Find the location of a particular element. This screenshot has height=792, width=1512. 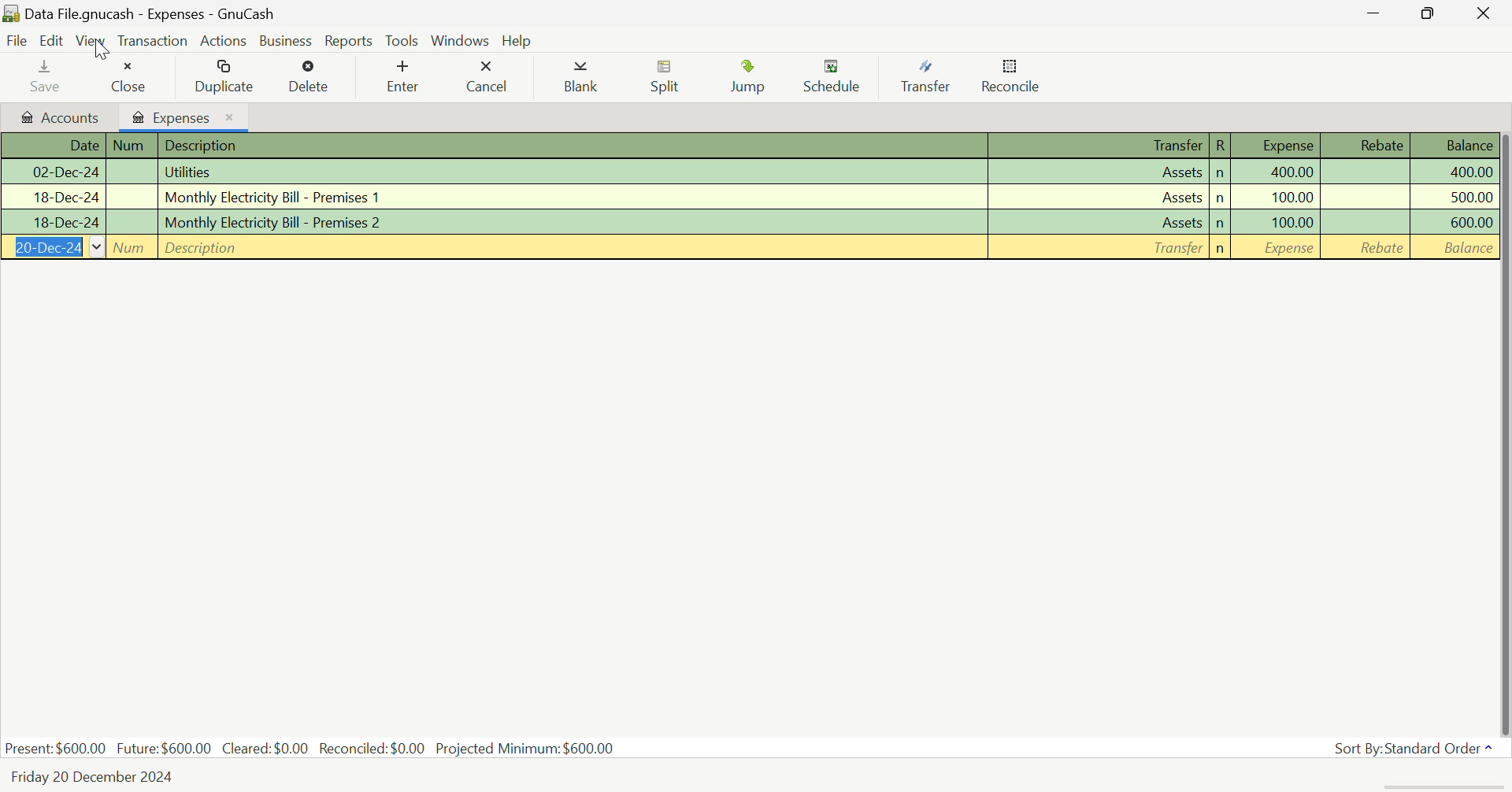

Help is located at coordinates (517, 40).